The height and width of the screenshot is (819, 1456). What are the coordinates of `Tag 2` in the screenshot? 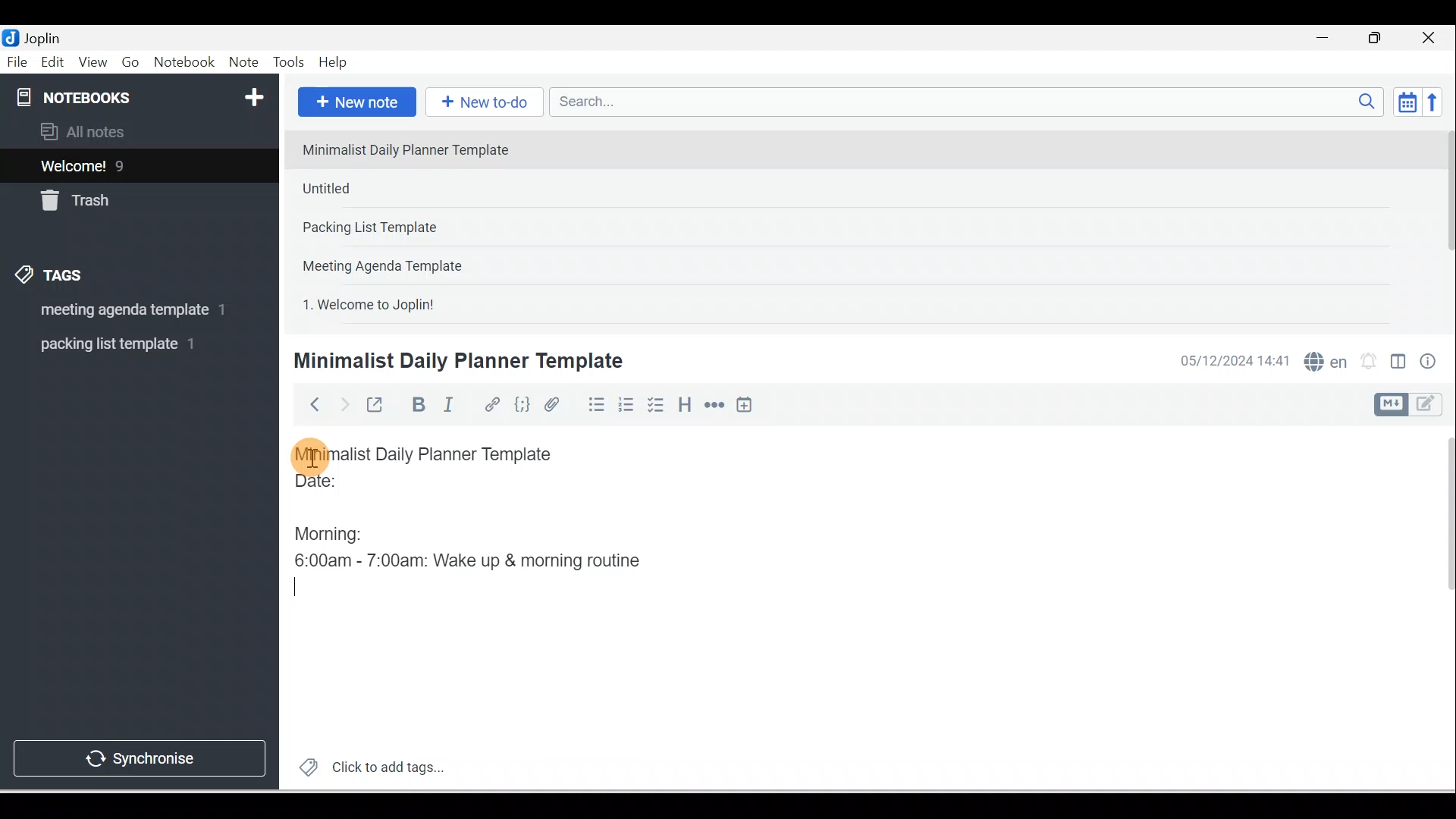 It's located at (128, 344).